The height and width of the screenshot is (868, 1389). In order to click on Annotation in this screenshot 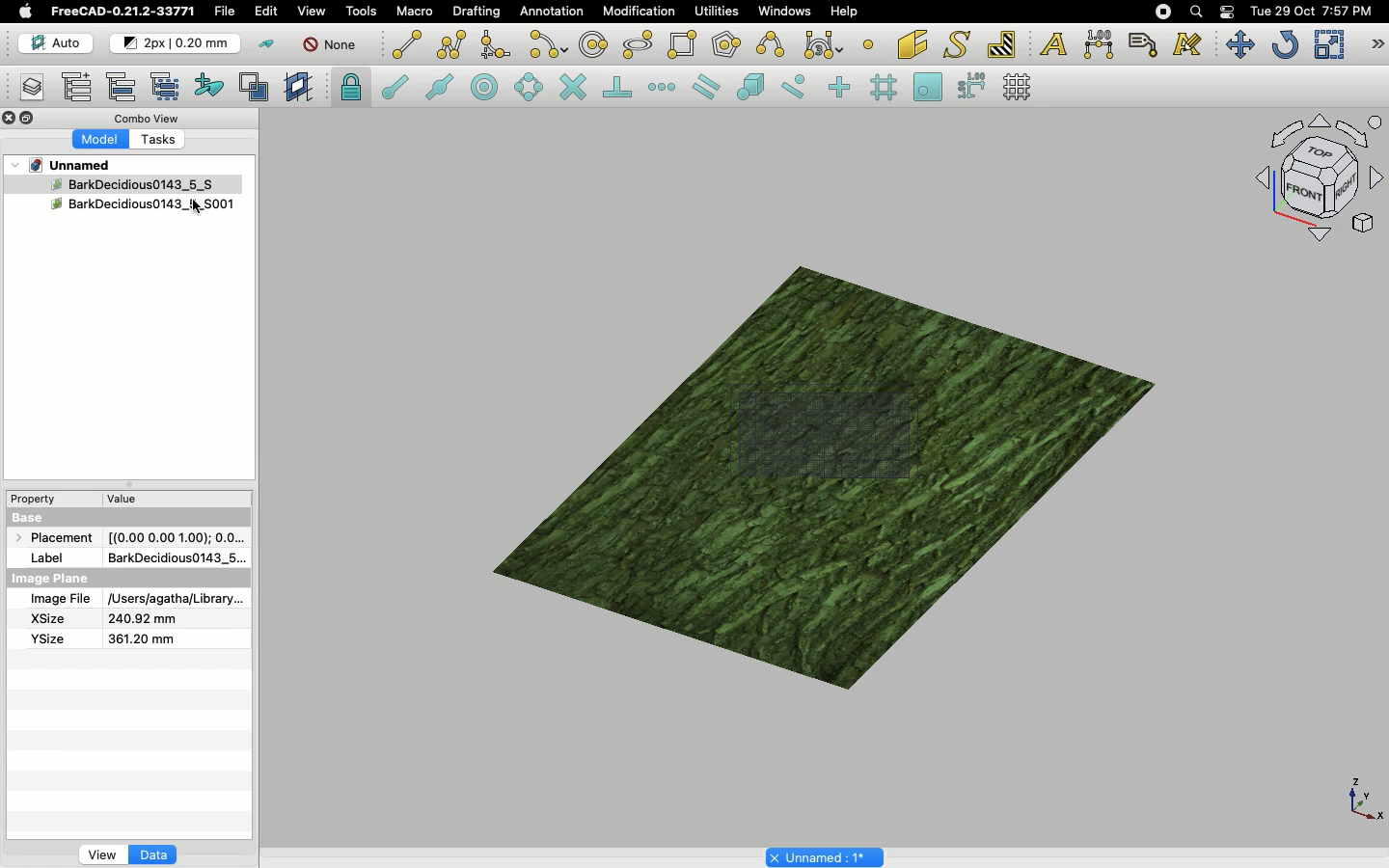, I will do `click(552, 11)`.